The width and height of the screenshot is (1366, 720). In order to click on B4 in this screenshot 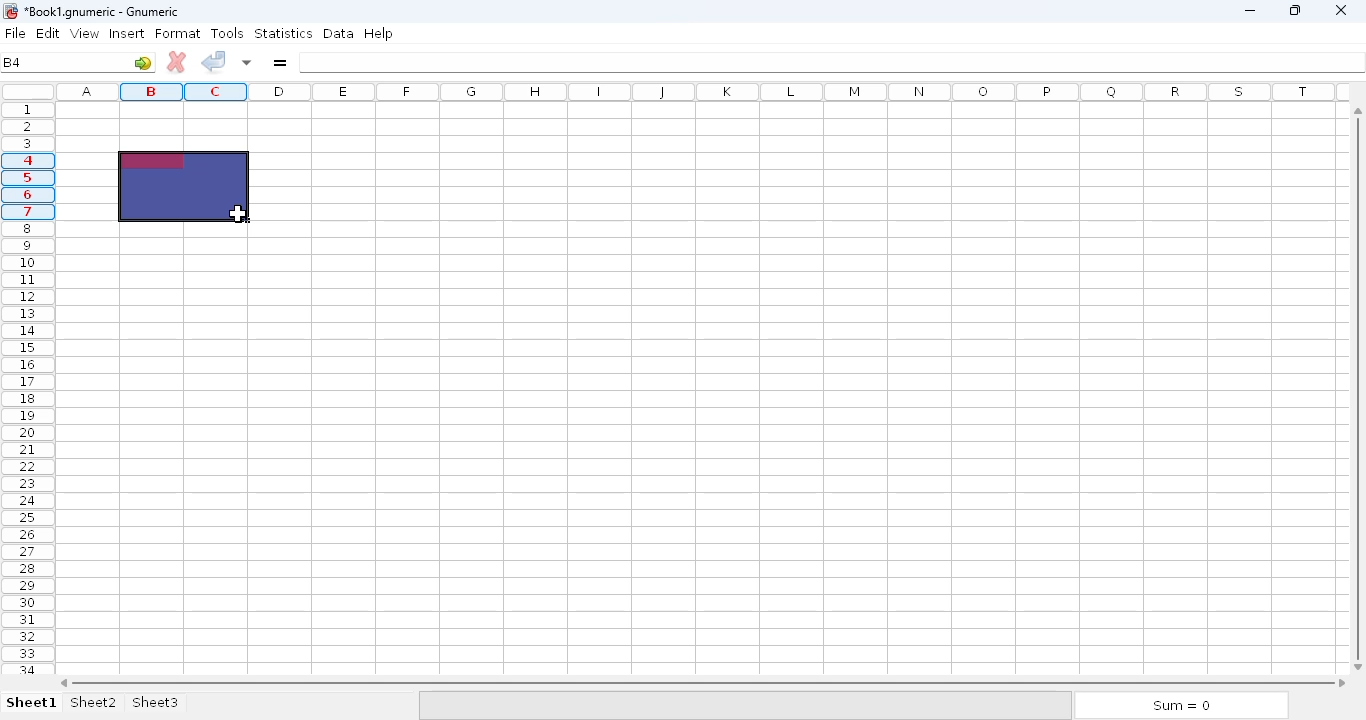, I will do `click(13, 62)`.